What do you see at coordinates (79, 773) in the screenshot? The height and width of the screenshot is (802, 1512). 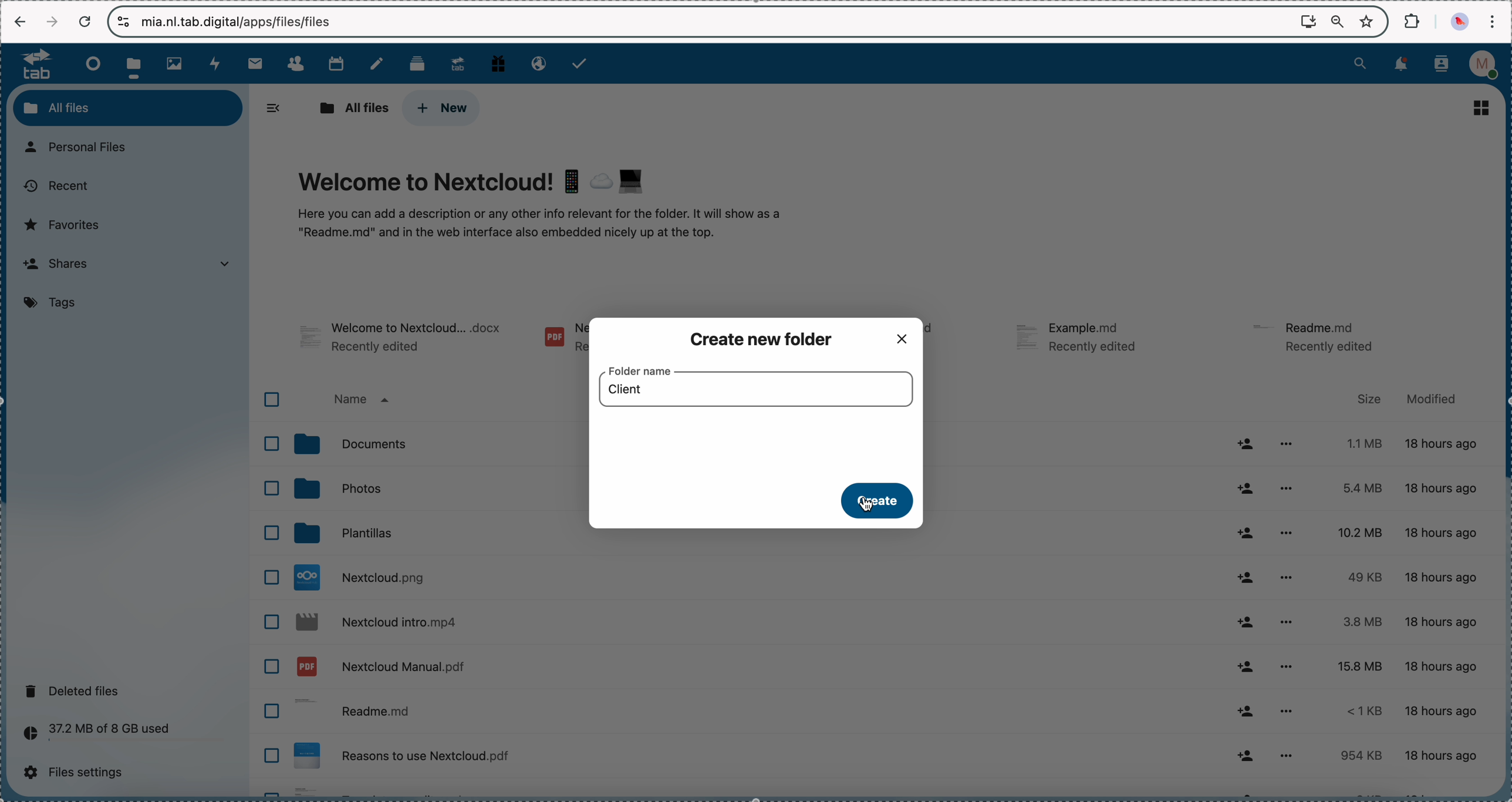 I see `files settings` at bounding box center [79, 773].